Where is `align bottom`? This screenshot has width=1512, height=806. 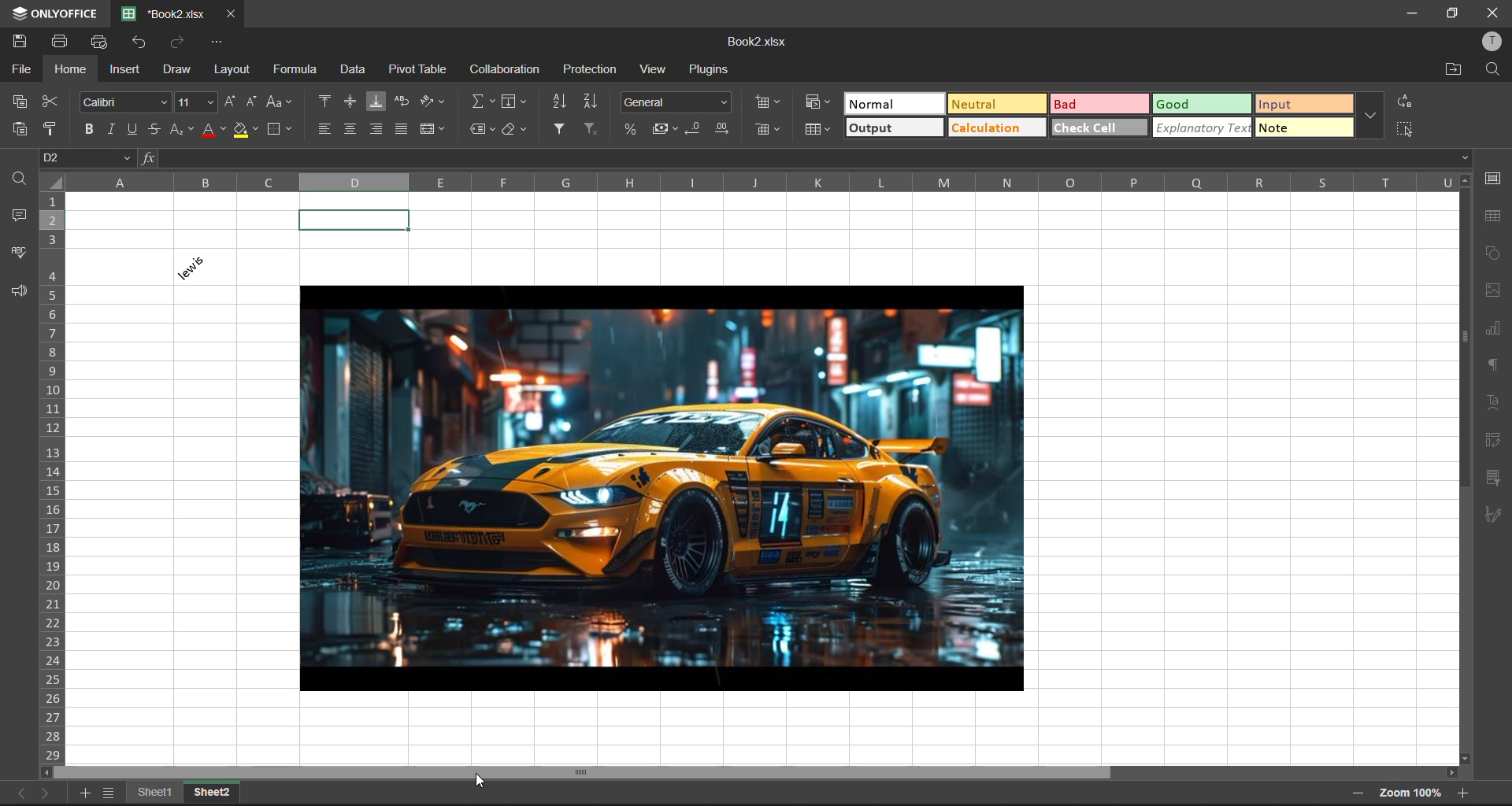 align bottom is located at coordinates (376, 100).